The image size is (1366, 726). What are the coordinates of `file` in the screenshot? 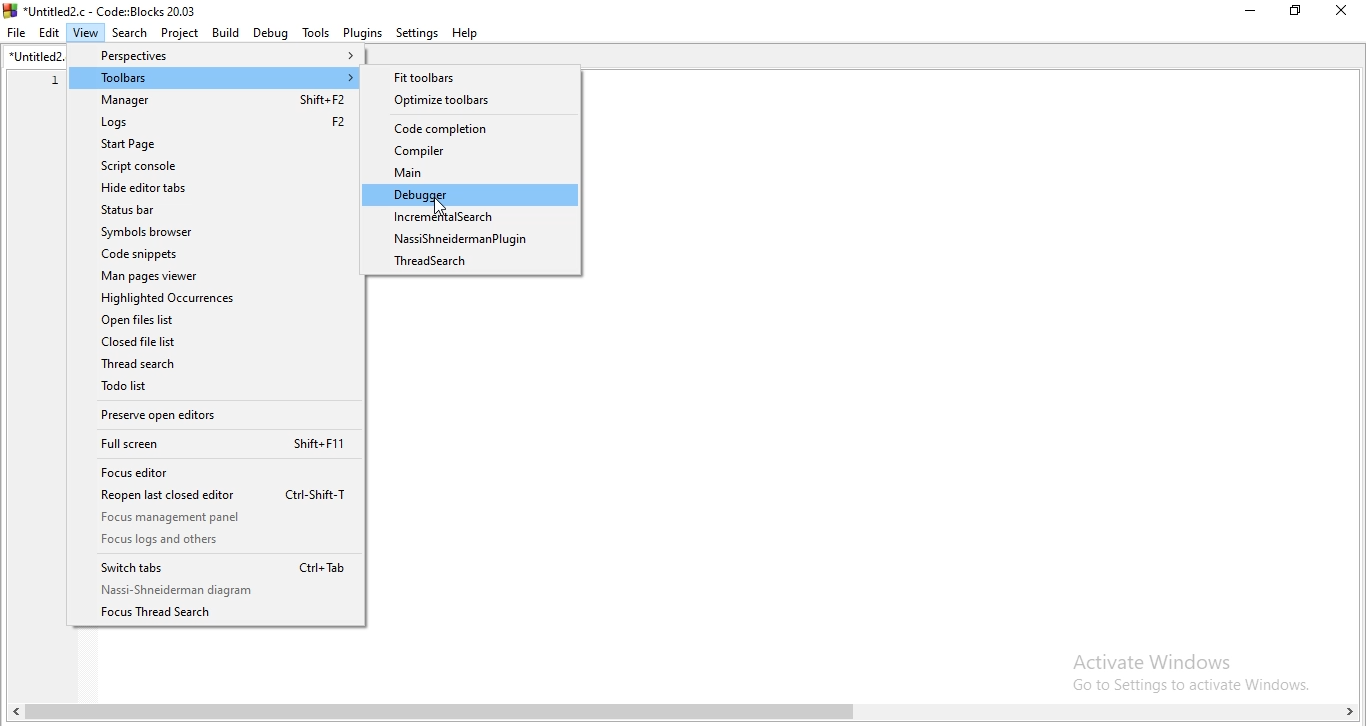 It's located at (16, 34).